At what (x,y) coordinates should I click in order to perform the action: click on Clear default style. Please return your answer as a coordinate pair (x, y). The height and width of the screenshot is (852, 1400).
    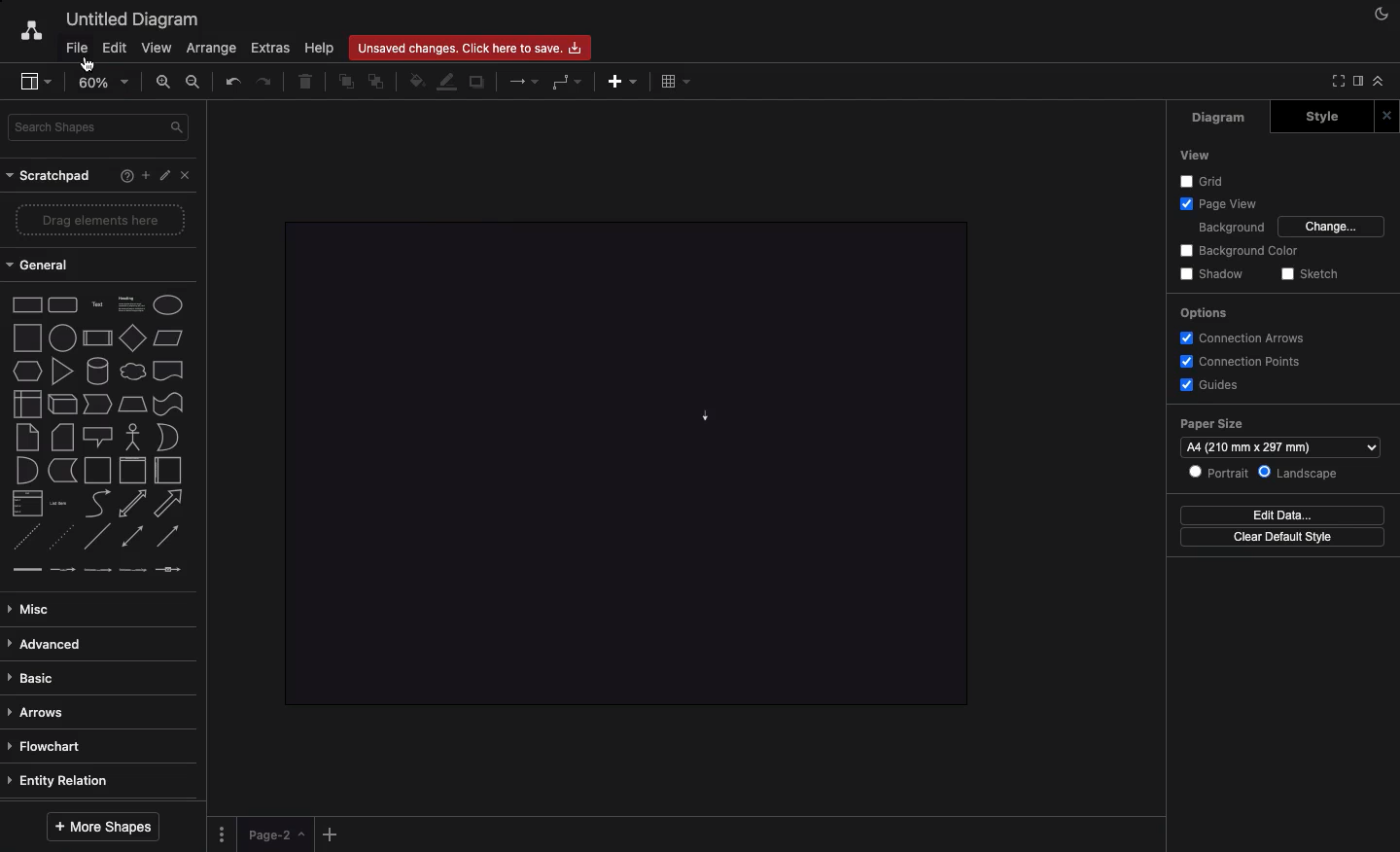
    Looking at the image, I should click on (1282, 538).